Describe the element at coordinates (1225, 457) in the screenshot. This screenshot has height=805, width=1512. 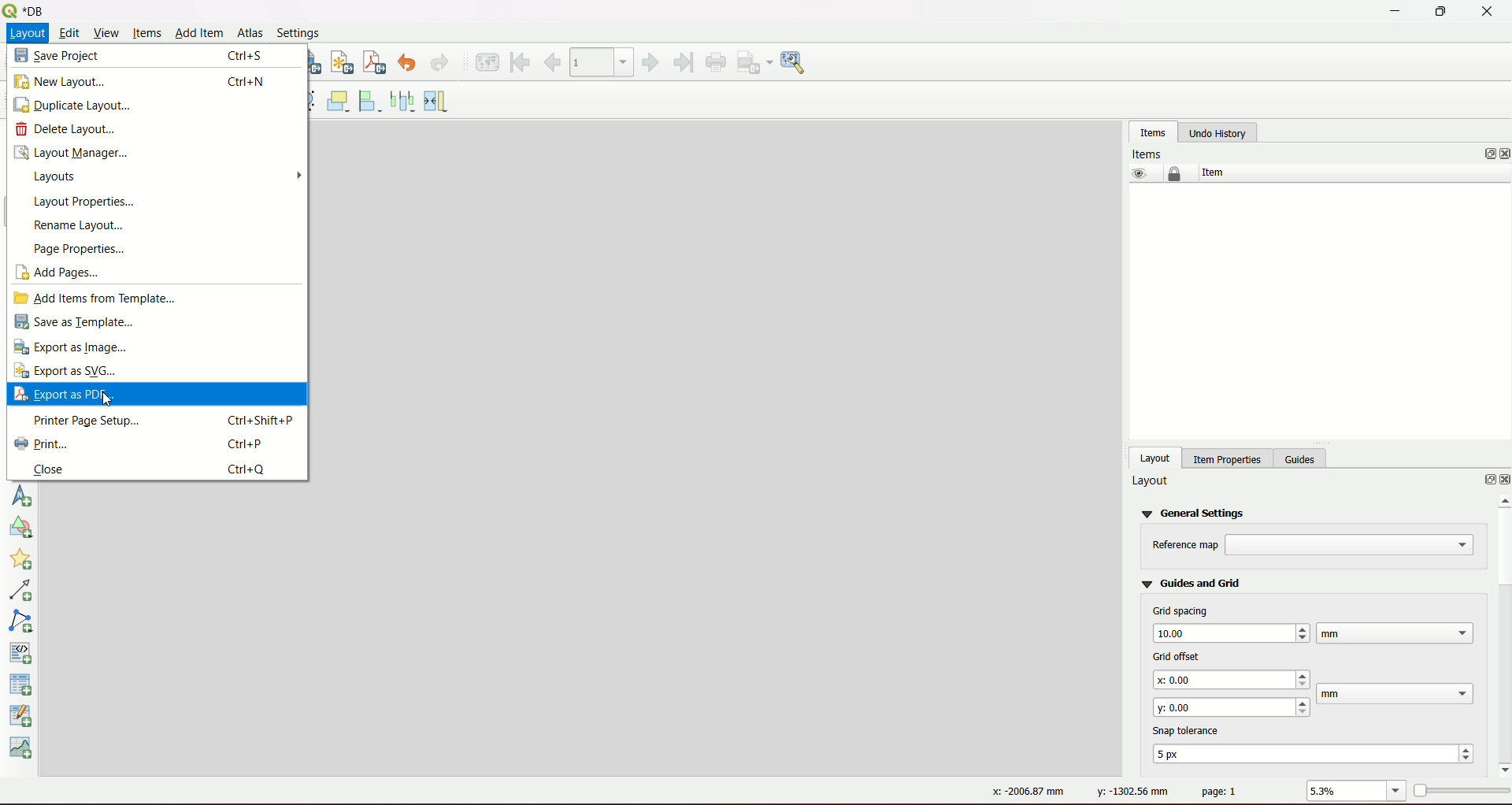
I see `item properties` at that location.